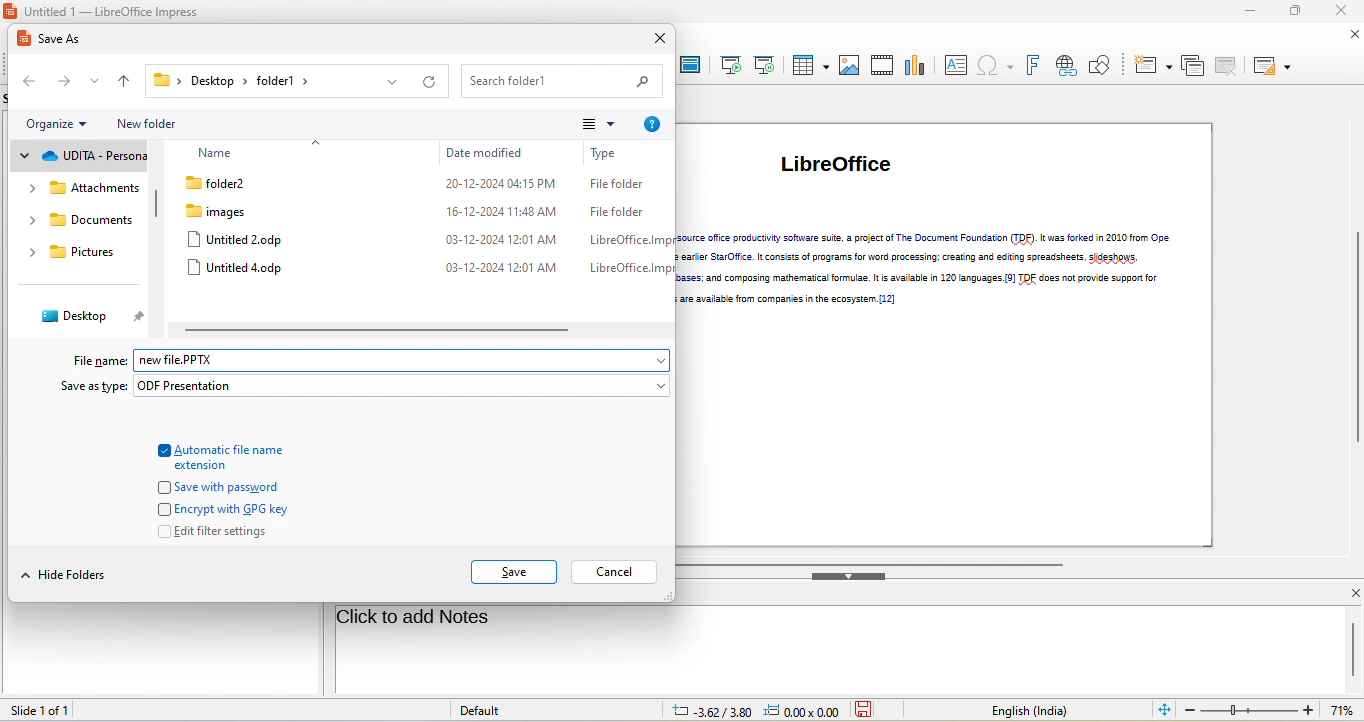 The width and height of the screenshot is (1364, 722). Describe the element at coordinates (955, 67) in the screenshot. I see `text box` at that location.